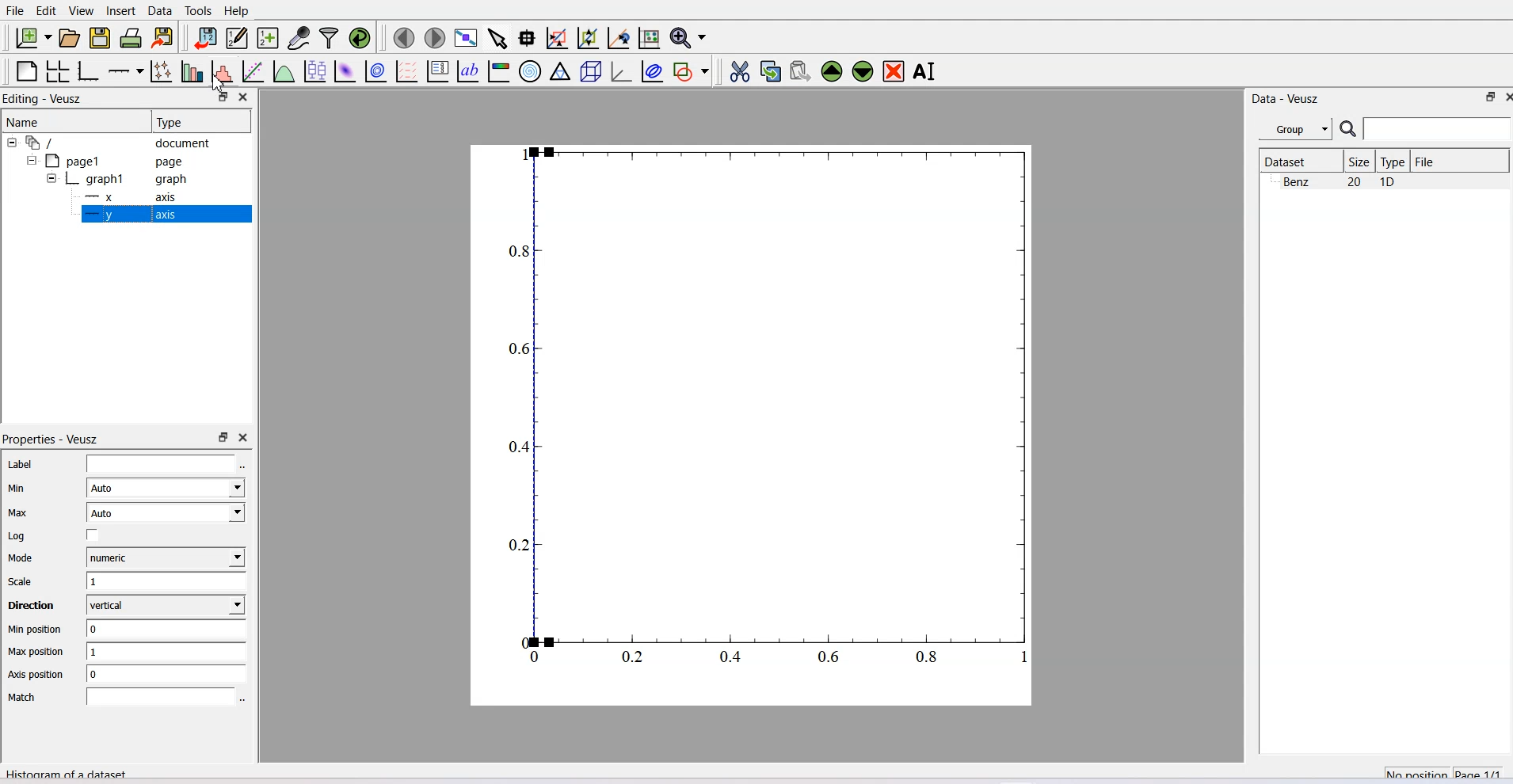 This screenshot has width=1513, height=784. Describe the element at coordinates (119, 142) in the screenshot. I see `Document` at that location.